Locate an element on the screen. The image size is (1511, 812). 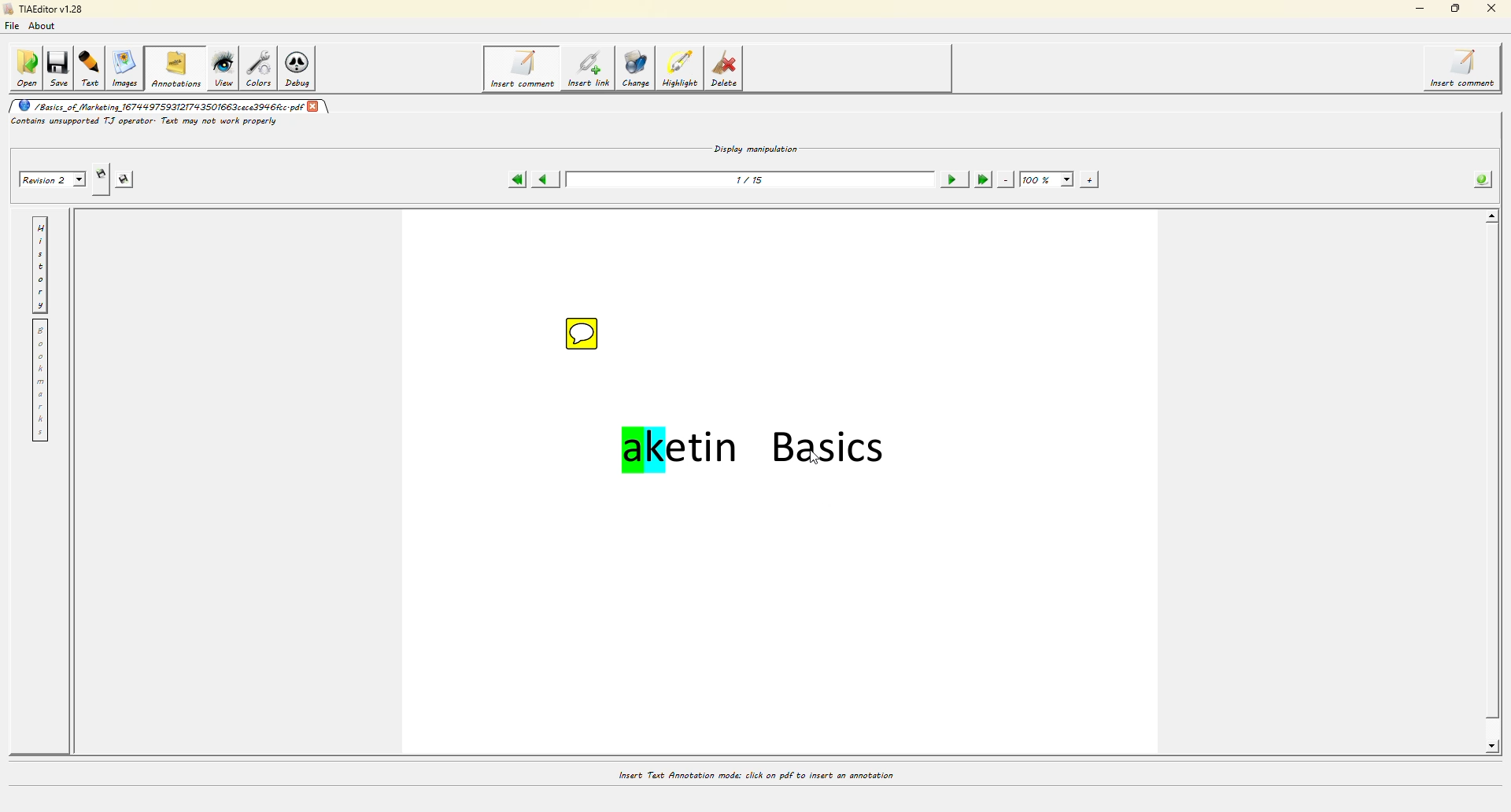
next page is located at coordinates (952, 179).